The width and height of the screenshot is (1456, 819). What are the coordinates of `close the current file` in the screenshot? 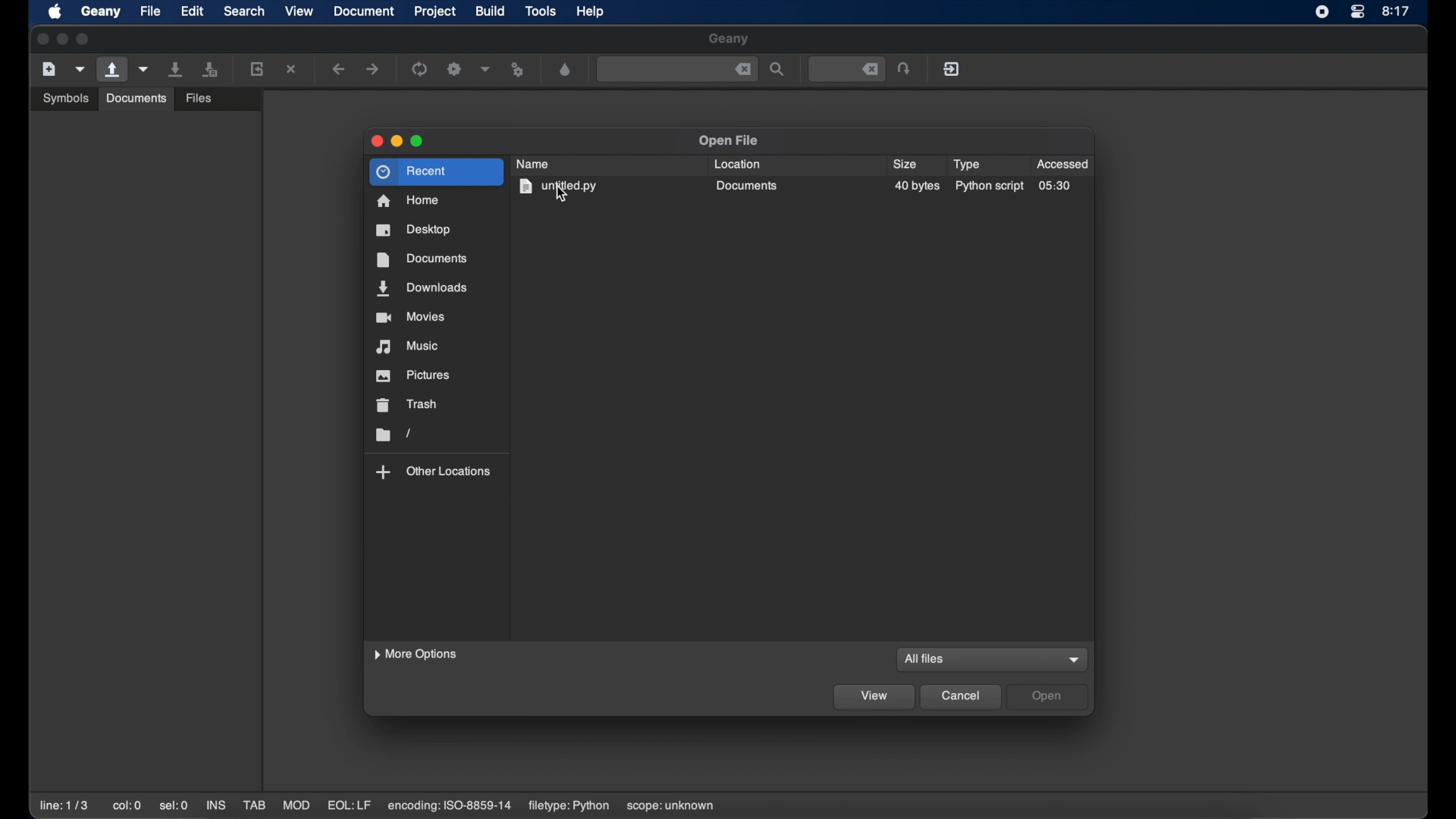 It's located at (291, 68).